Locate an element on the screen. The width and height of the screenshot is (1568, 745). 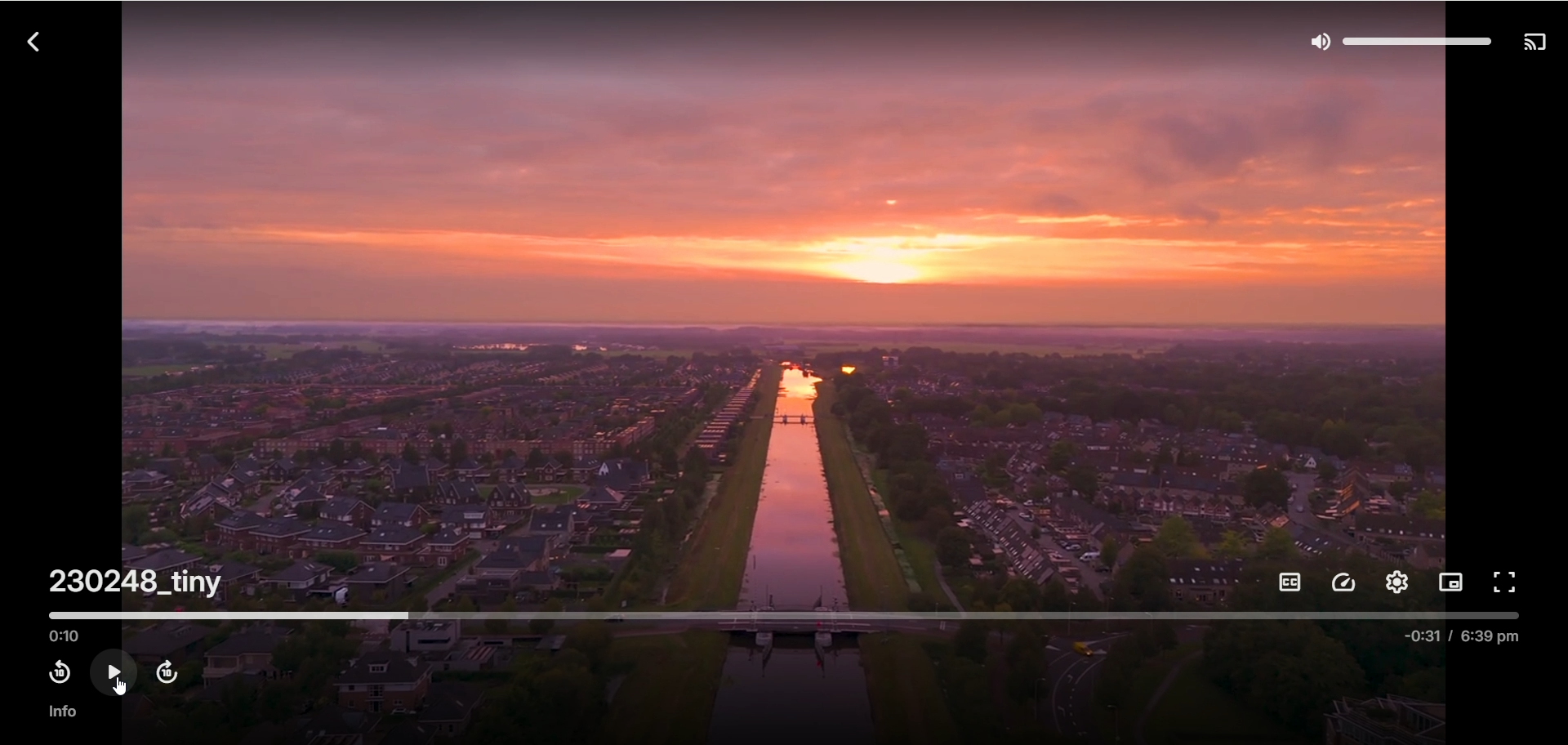
settings is located at coordinates (1397, 580).